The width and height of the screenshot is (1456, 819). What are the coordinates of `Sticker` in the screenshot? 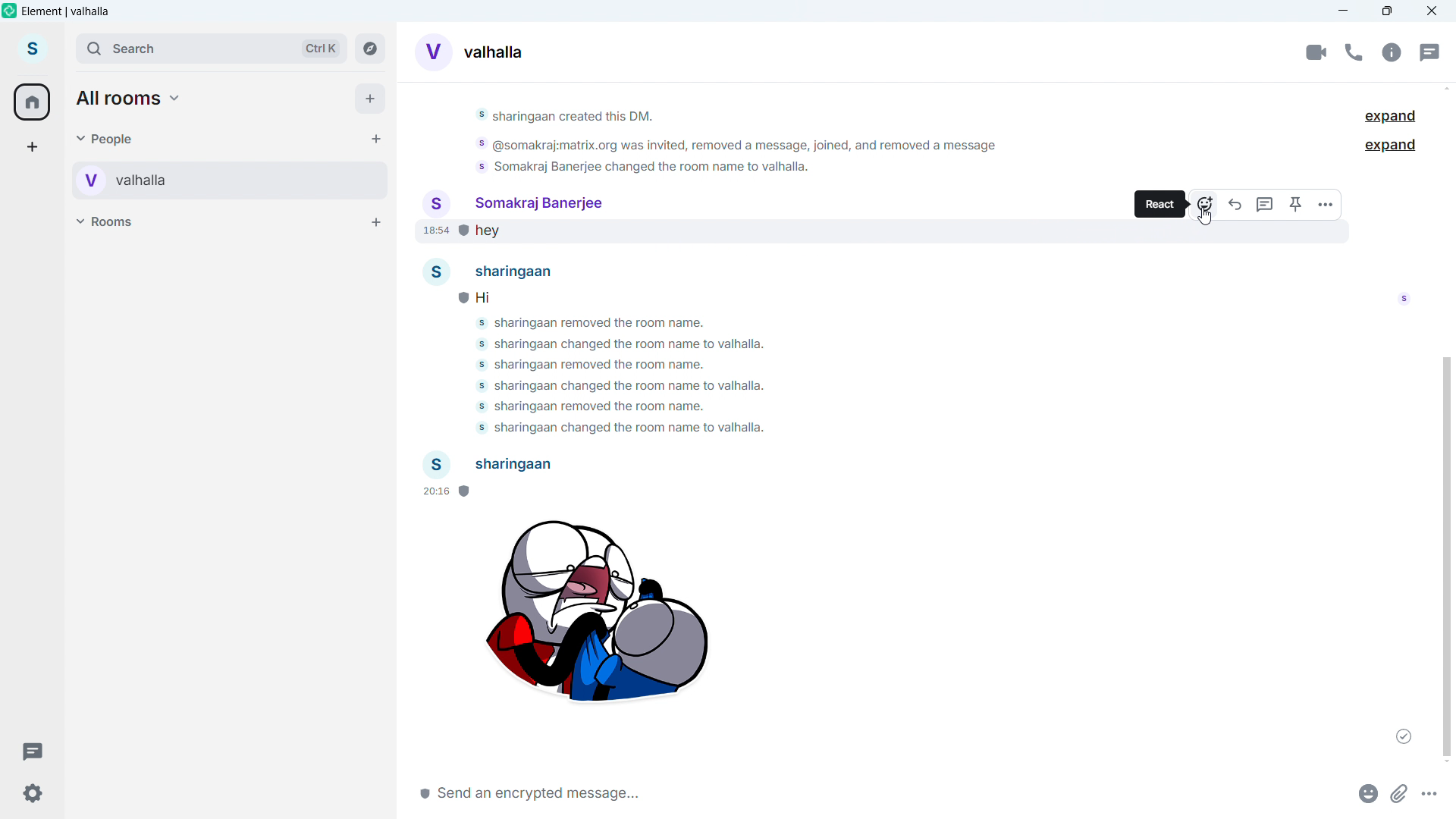 It's located at (595, 617).